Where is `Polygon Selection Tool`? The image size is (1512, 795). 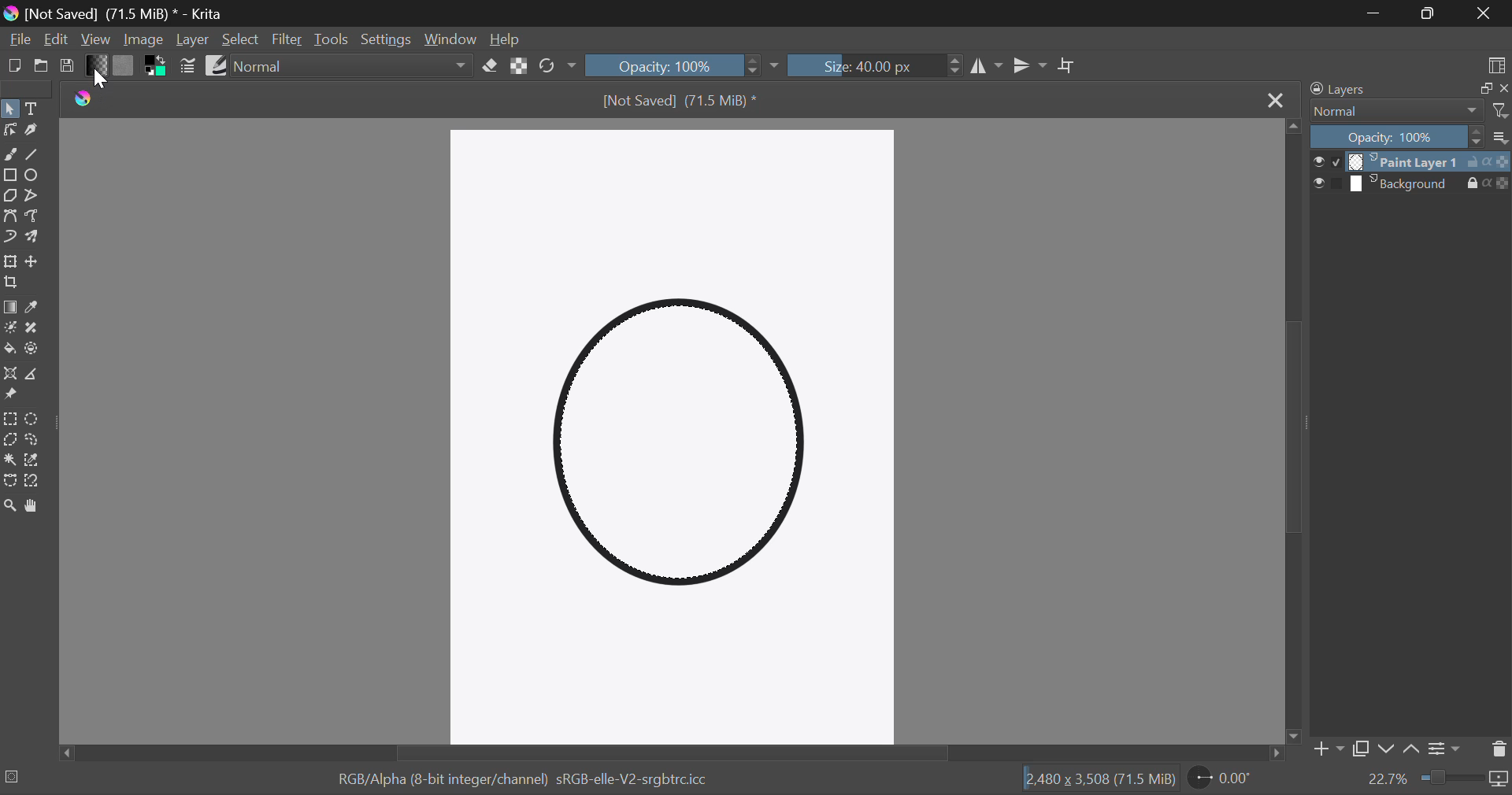 Polygon Selection Tool is located at coordinates (9, 439).